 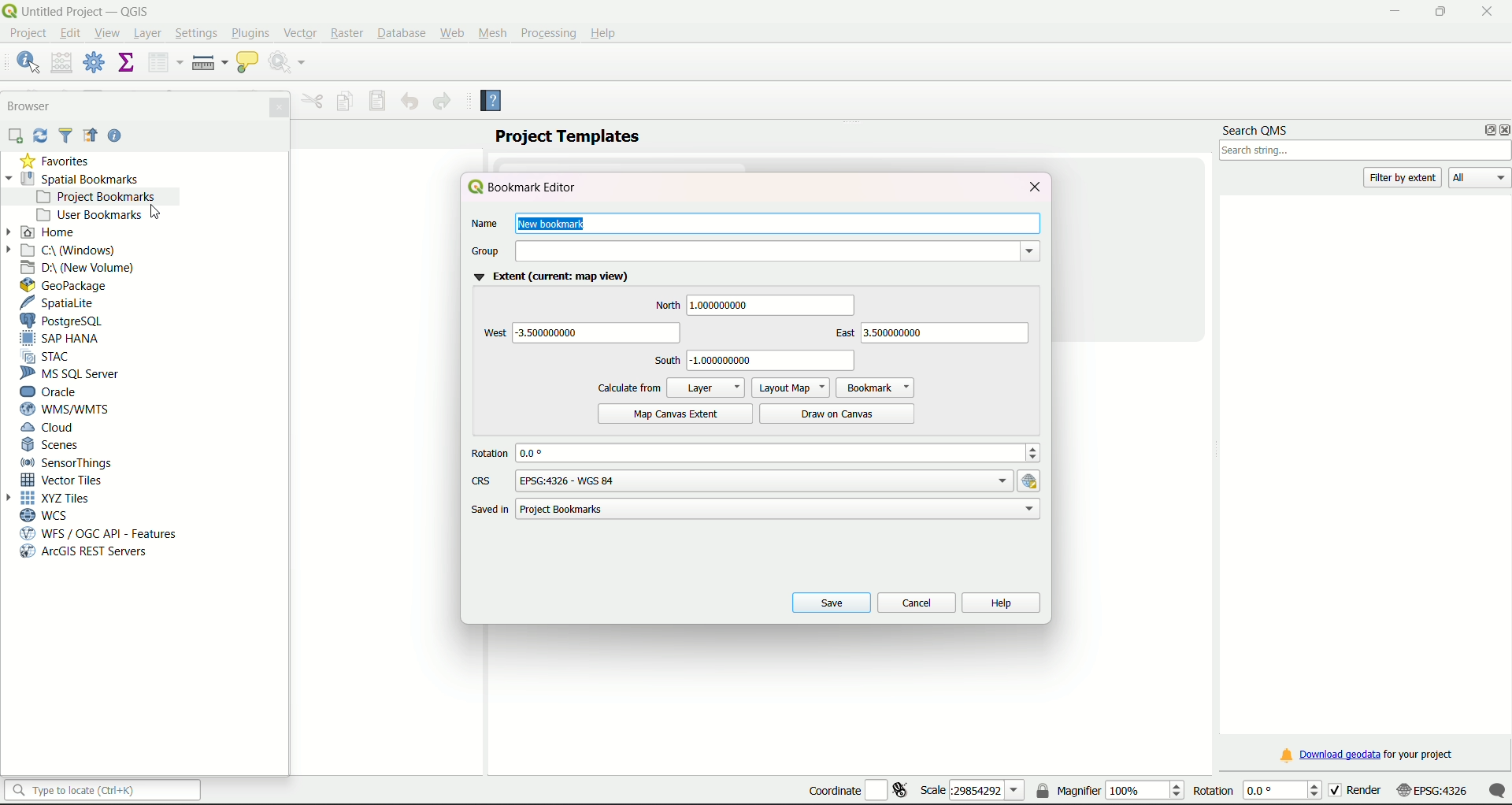 I want to click on coordinate, so click(x=857, y=787).